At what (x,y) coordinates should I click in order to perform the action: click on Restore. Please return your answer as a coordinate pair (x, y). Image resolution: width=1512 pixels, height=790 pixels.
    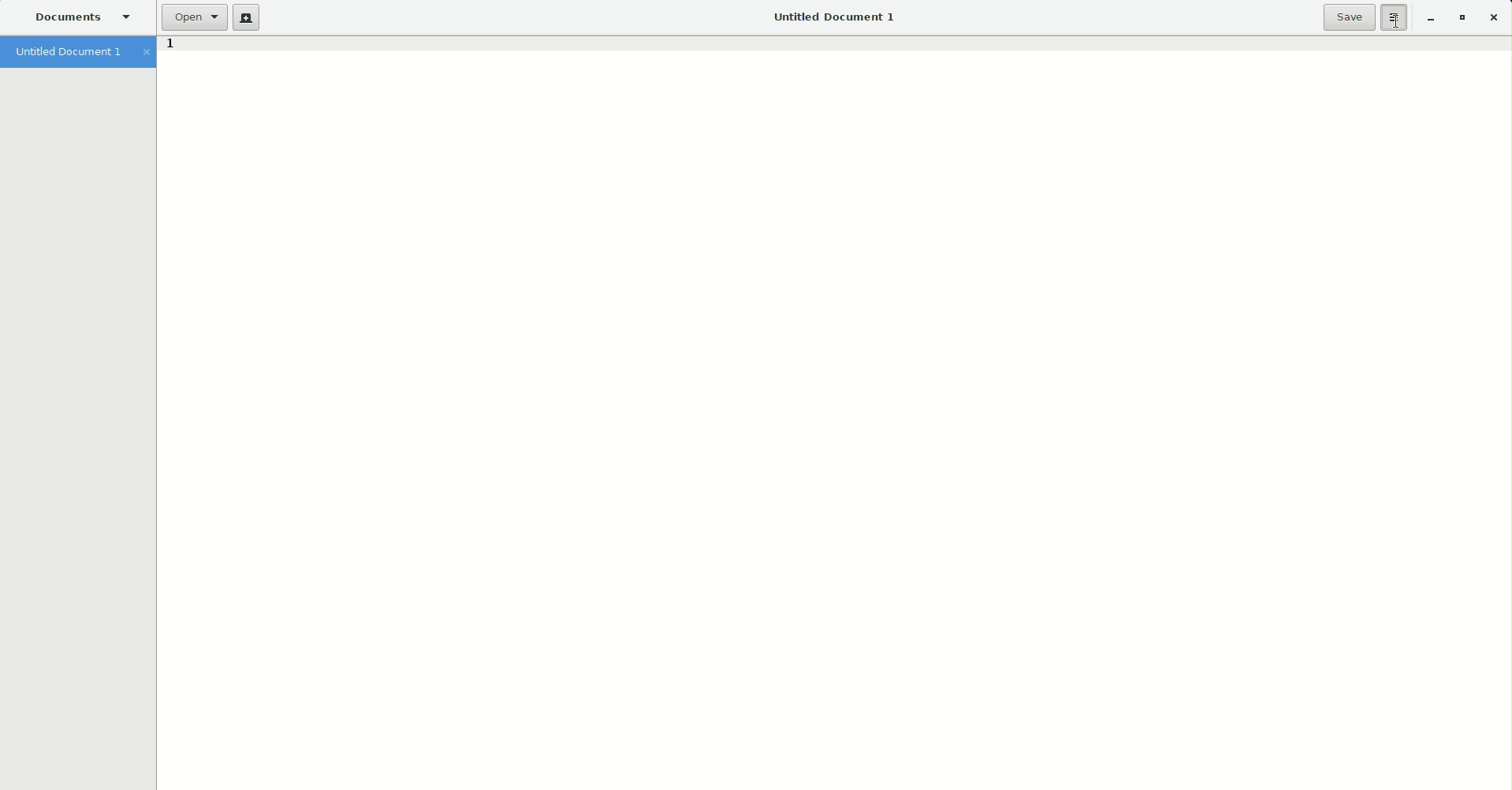
    Looking at the image, I should click on (1459, 18).